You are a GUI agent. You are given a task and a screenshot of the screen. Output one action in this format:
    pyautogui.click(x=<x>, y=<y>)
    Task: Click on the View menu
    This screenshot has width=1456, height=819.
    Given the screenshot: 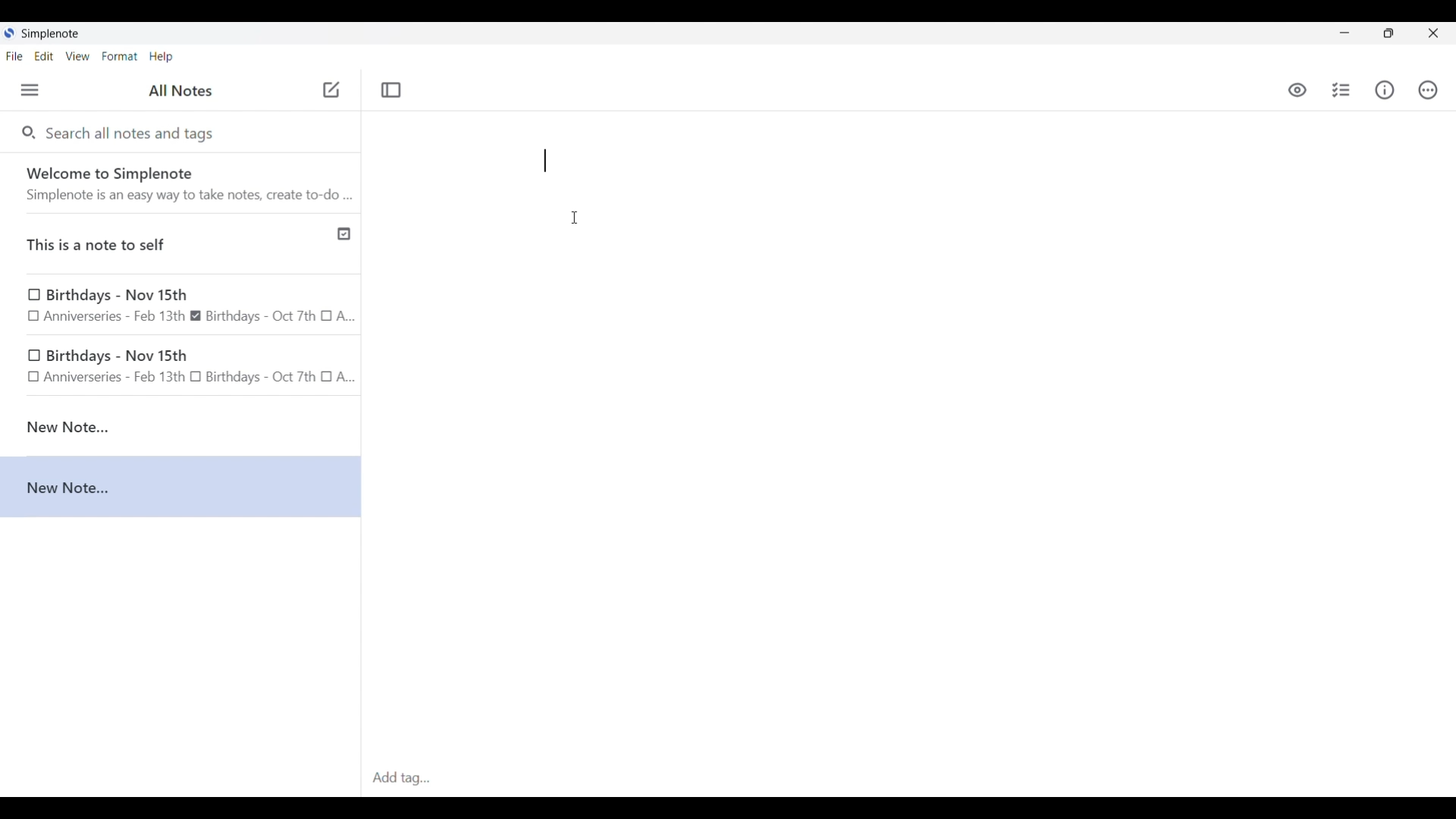 What is the action you would take?
    pyautogui.click(x=78, y=55)
    